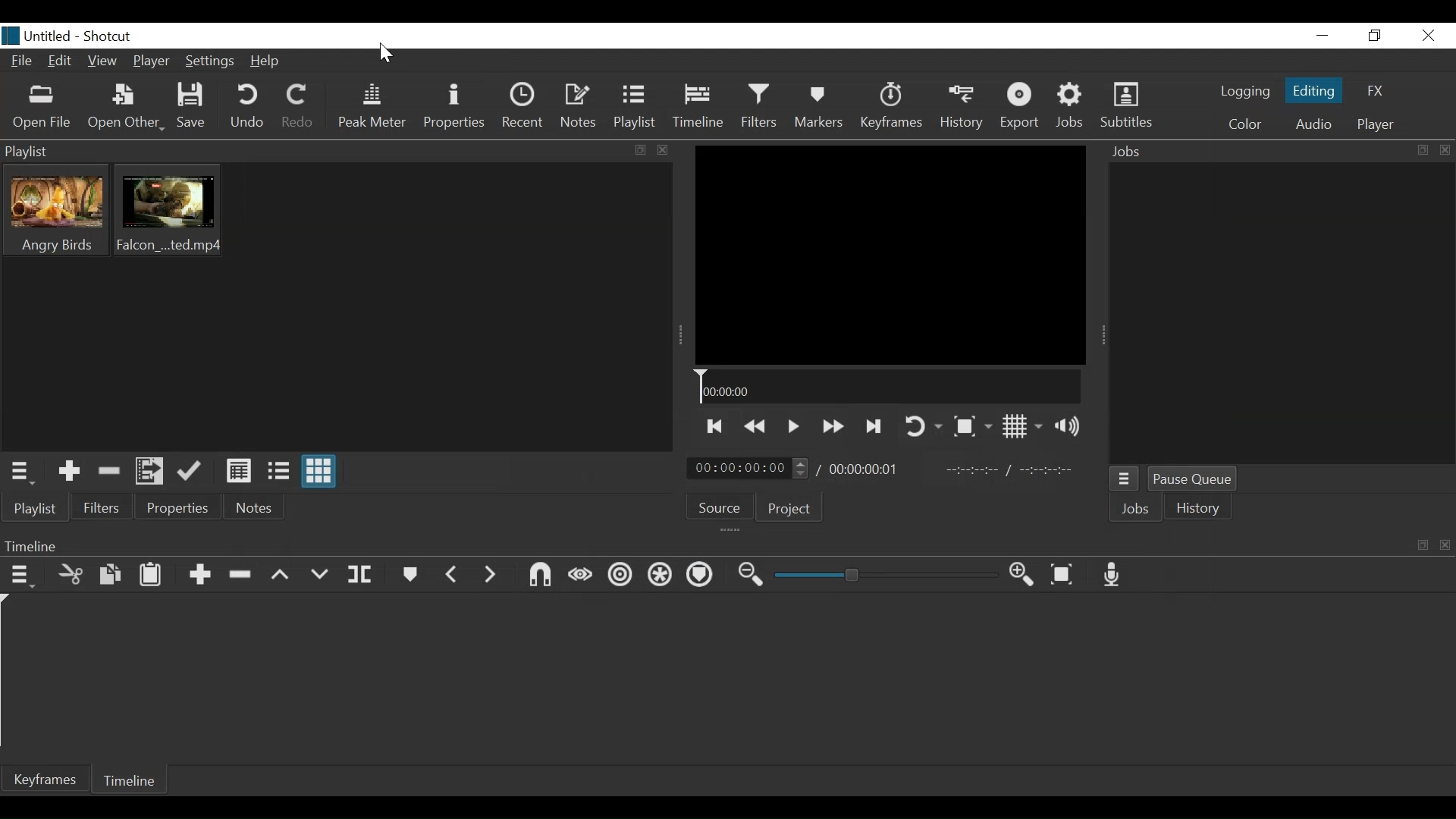 The height and width of the screenshot is (819, 1456). What do you see at coordinates (1280, 151) in the screenshot?
I see `Jobs Panel` at bounding box center [1280, 151].